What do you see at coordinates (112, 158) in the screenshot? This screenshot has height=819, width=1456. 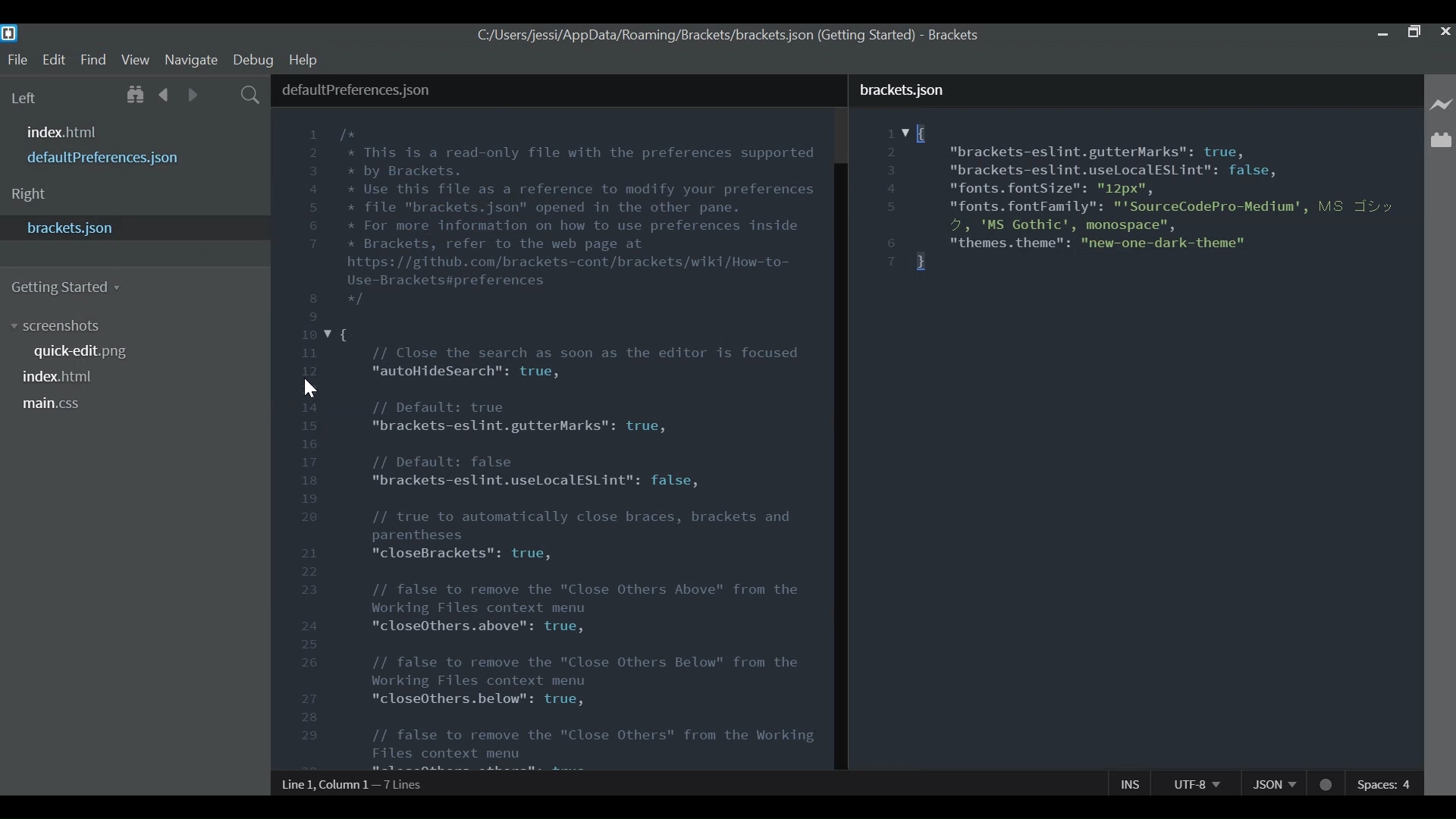 I see `defaultPreferences.json` at bounding box center [112, 158].